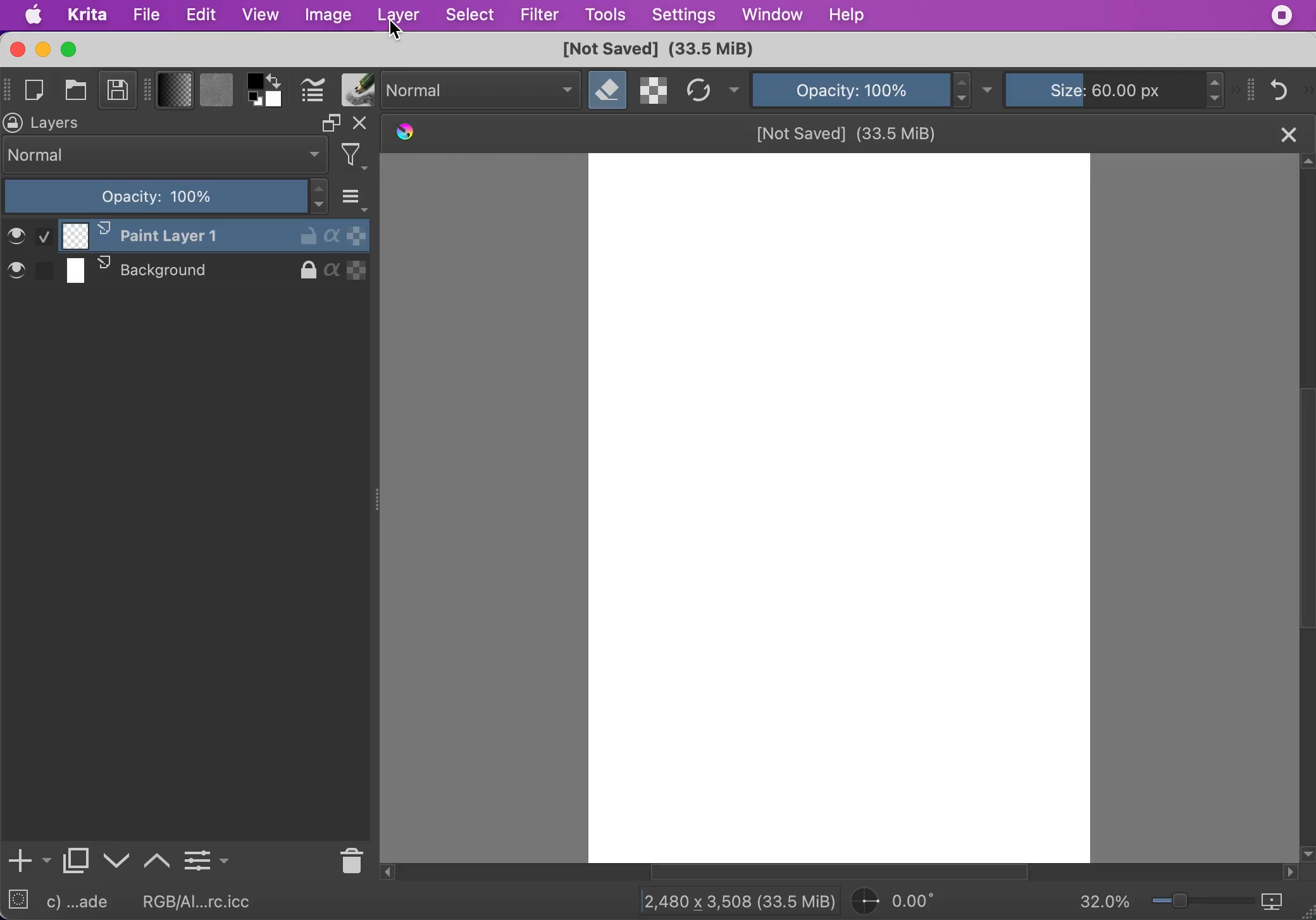 The height and width of the screenshot is (920, 1316). Describe the element at coordinates (358, 156) in the screenshot. I see `filters` at that location.